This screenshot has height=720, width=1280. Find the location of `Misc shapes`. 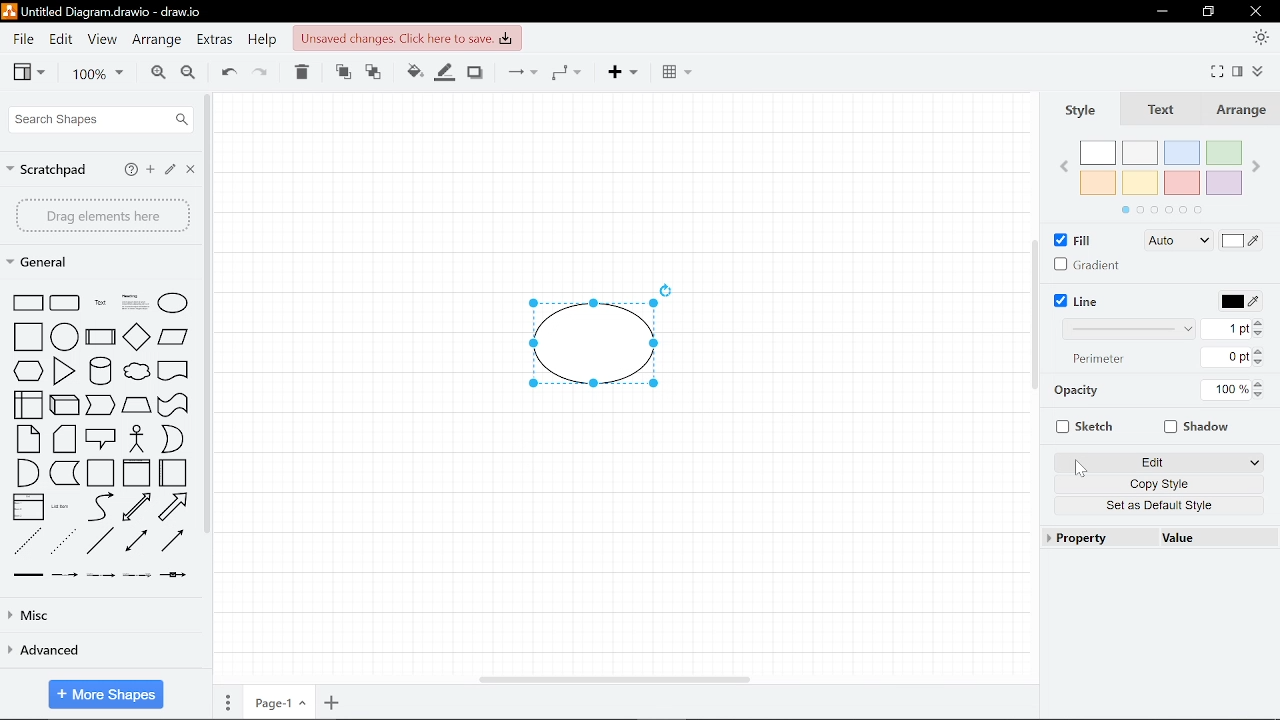

Misc shapes is located at coordinates (102, 615).